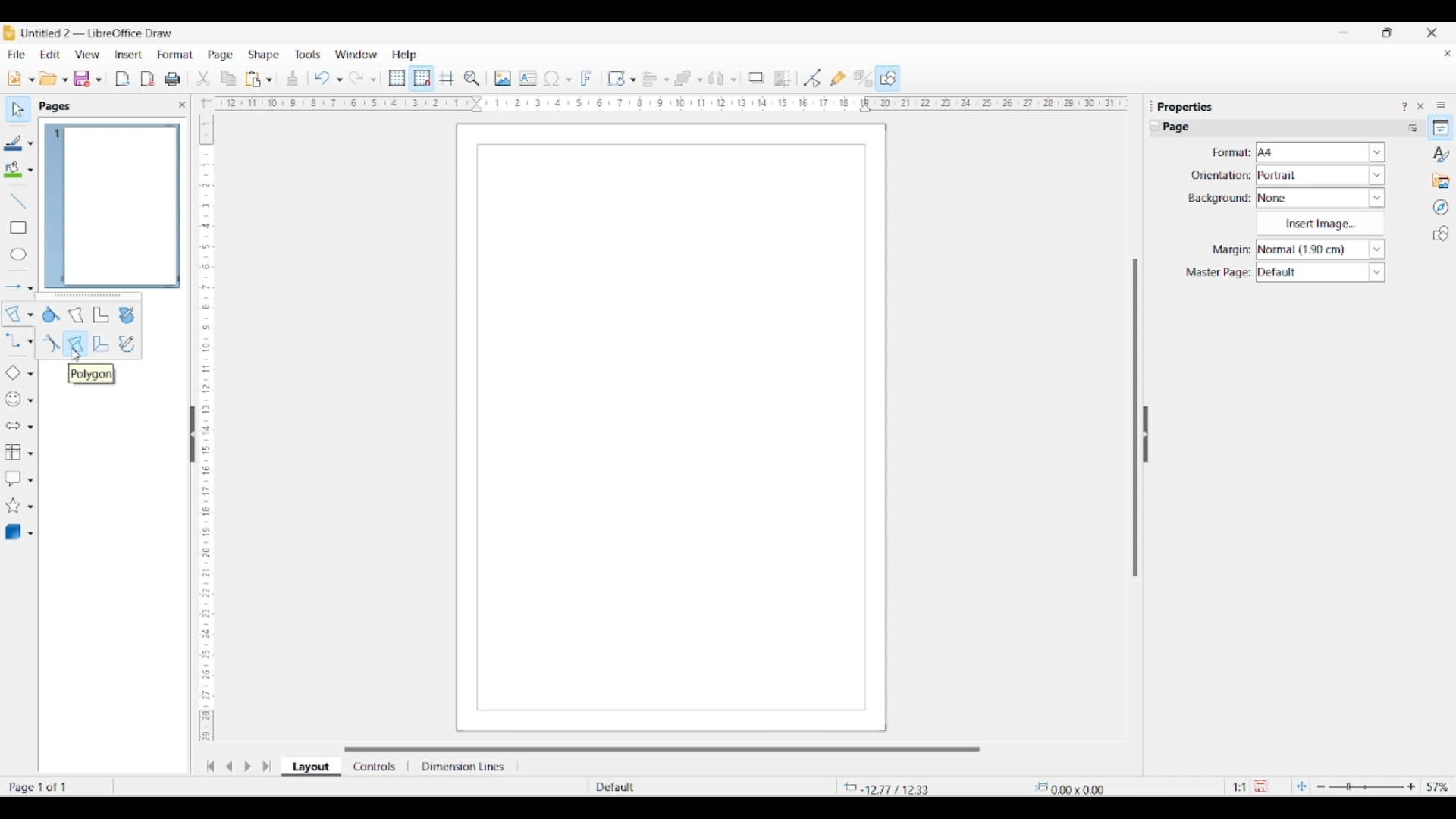 The height and width of the screenshot is (819, 1456). Describe the element at coordinates (30, 534) in the screenshot. I see `3D shape options` at that location.